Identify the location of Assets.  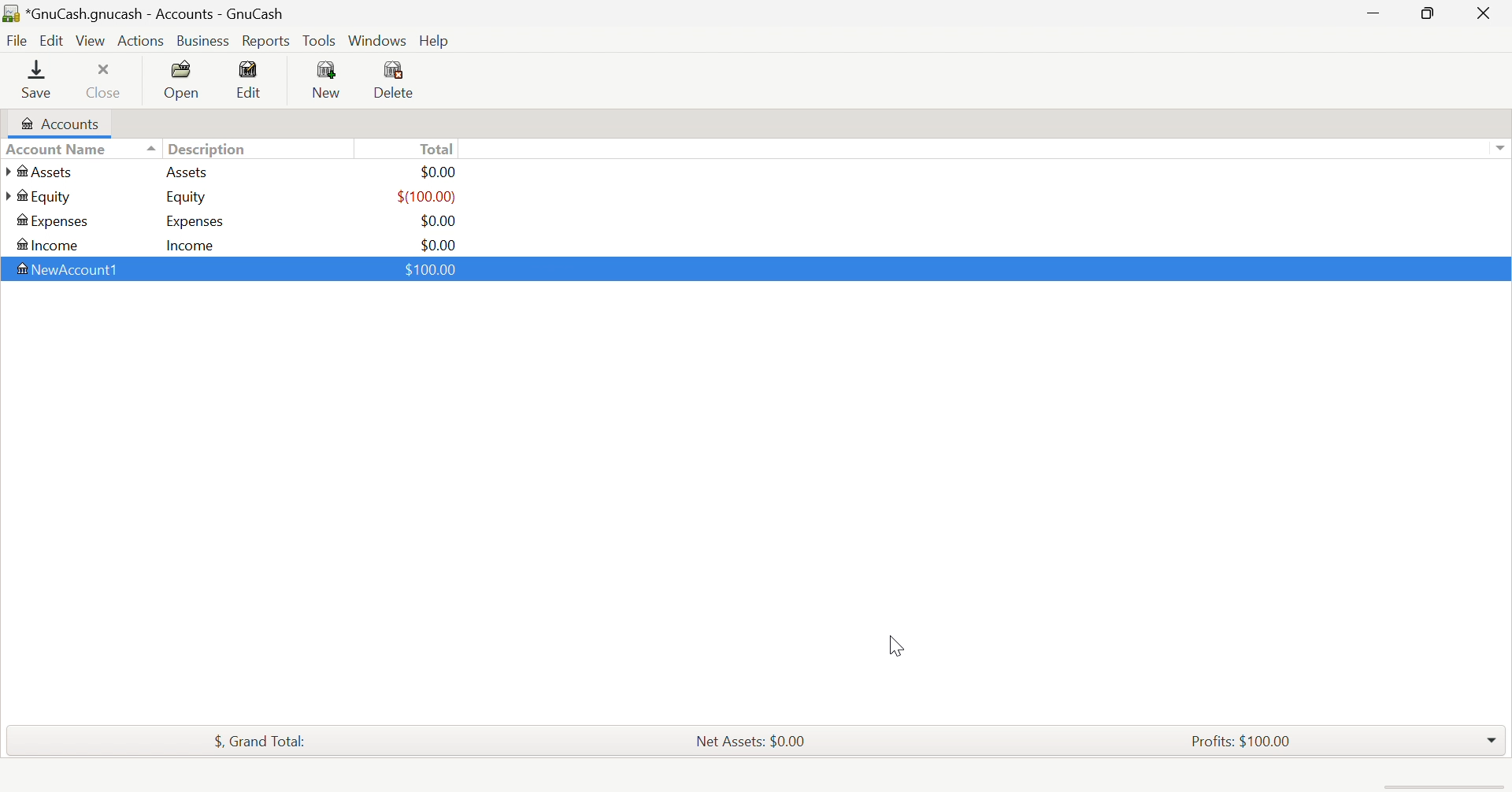
(43, 172).